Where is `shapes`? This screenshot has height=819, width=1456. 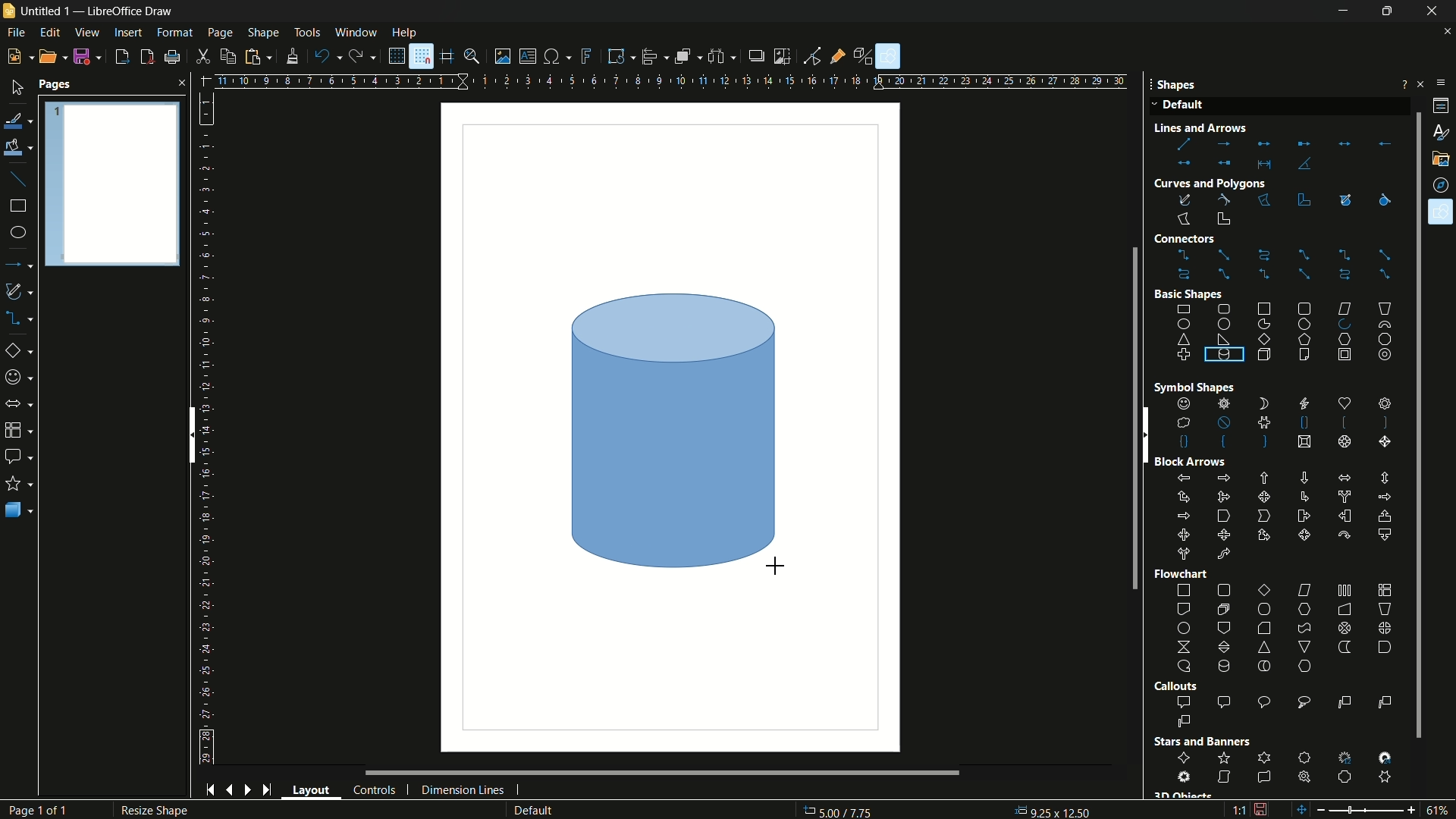
shapes is located at coordinates (1441, 212).